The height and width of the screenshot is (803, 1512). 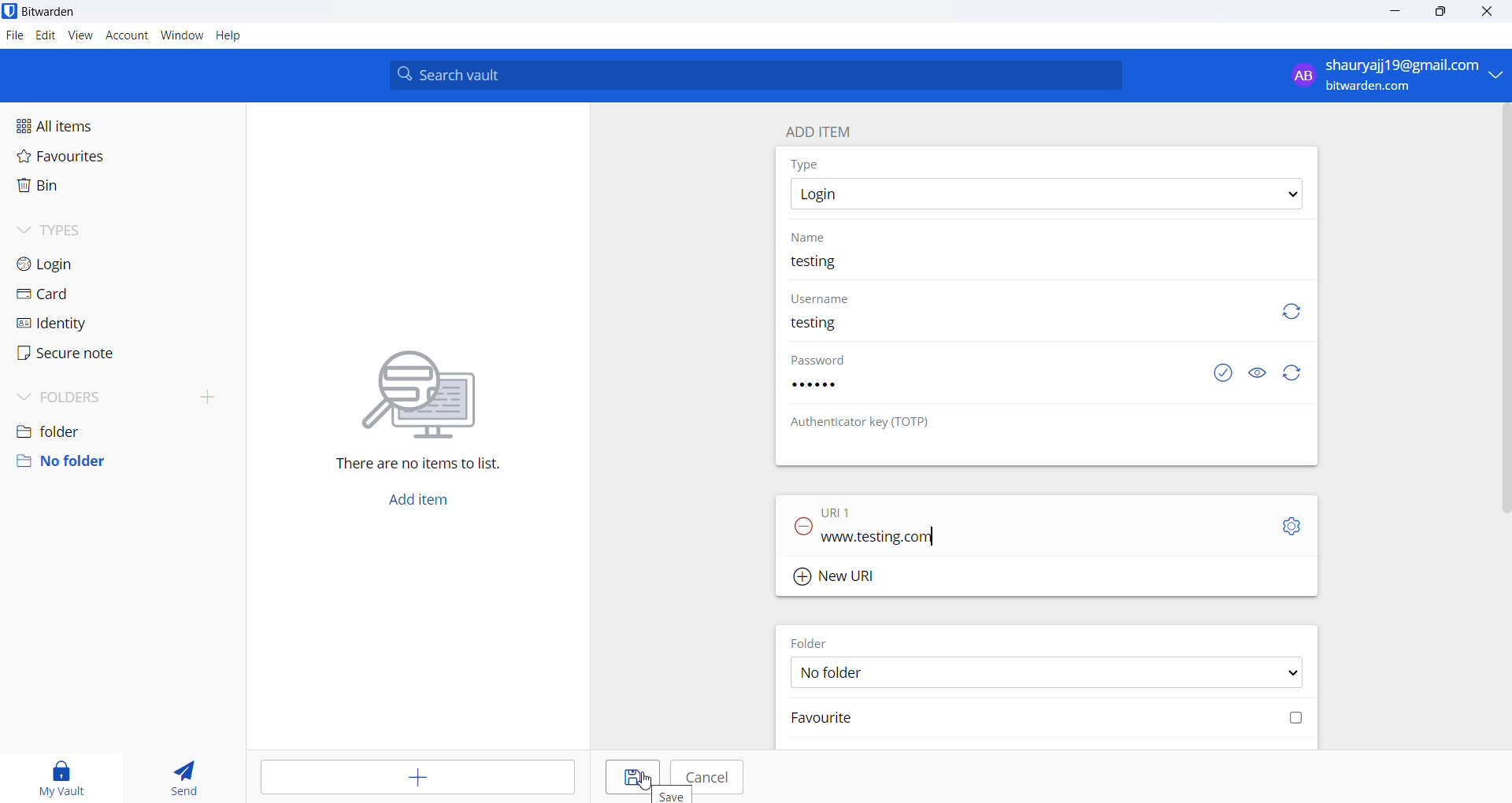 I want to click on FOLDER options, so click(x=1048, y=673).